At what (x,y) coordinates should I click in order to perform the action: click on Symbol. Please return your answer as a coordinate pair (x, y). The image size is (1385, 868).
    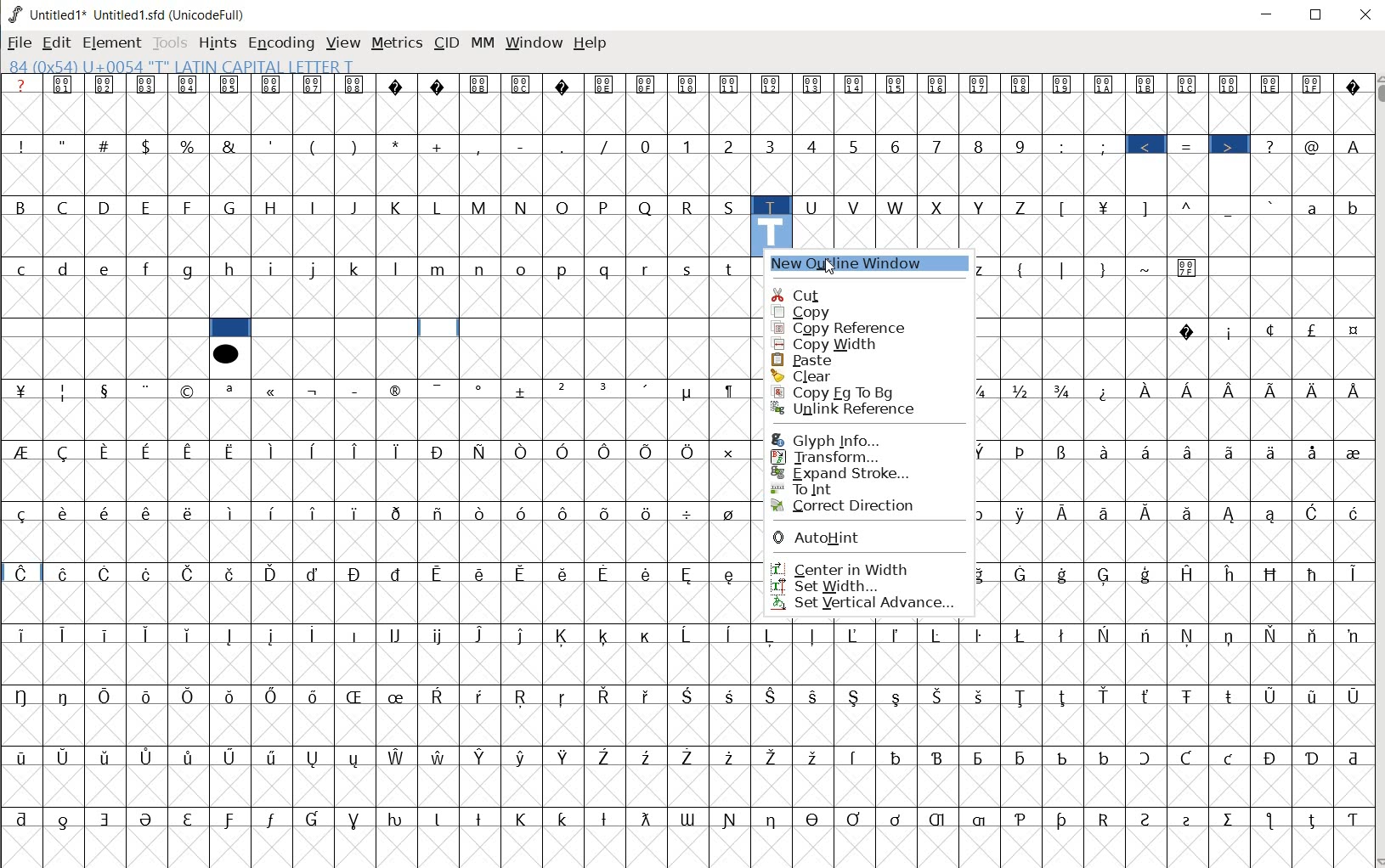
    Looking at the image, I should click on (274, 573).